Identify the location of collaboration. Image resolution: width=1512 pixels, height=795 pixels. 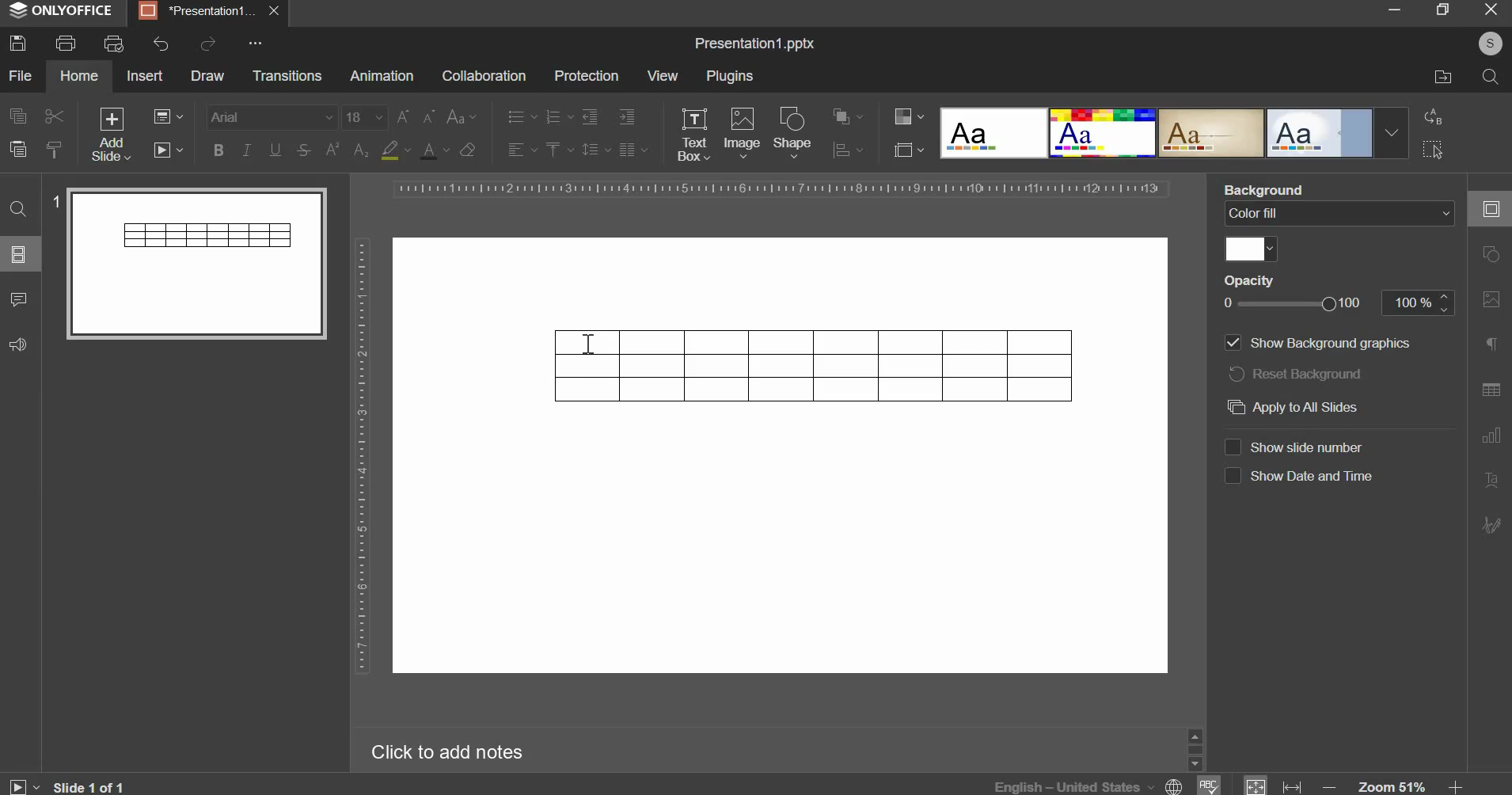
(483, 75).